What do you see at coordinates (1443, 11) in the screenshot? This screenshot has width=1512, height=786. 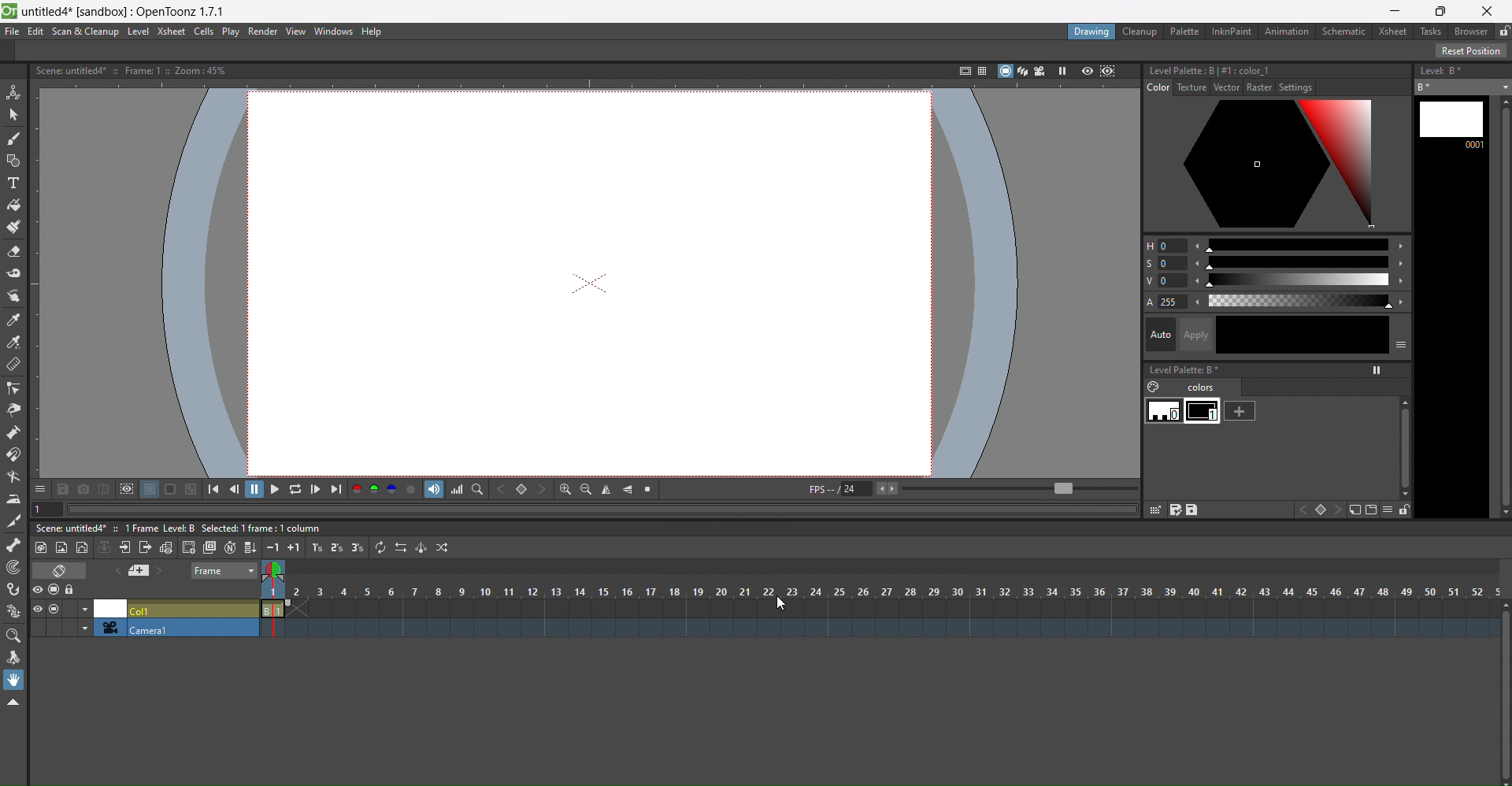 I see `Maximise` at bounding box center [1443, 11].